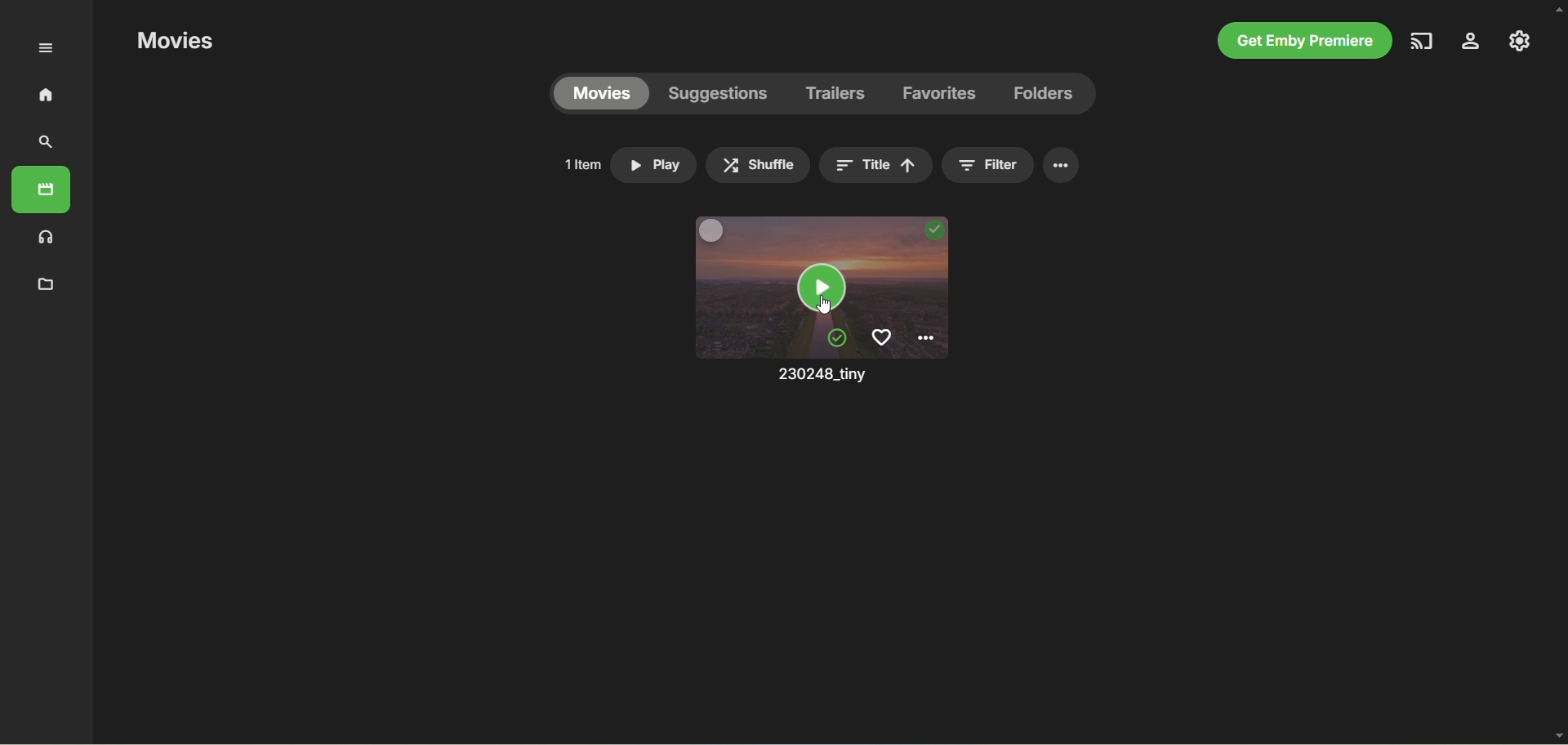 This screenshot has height=745, width=1568. What do you see at coordinates (1558, 374) in the screenshot?
I see `vertical scroll bar` at bounding box center [1558, 374].